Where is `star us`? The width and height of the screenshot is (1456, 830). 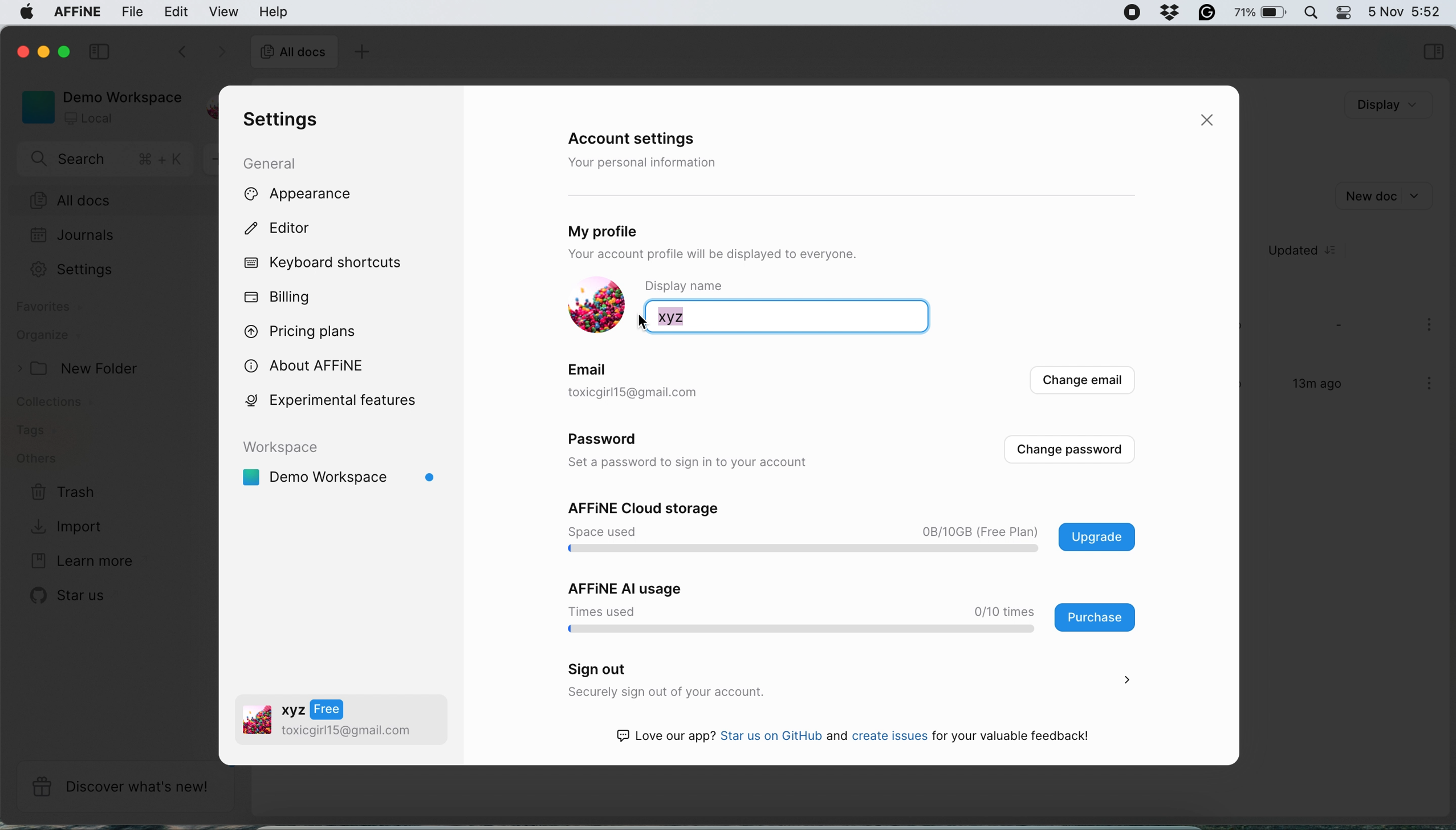
star us is located at coordinates (71, 595).